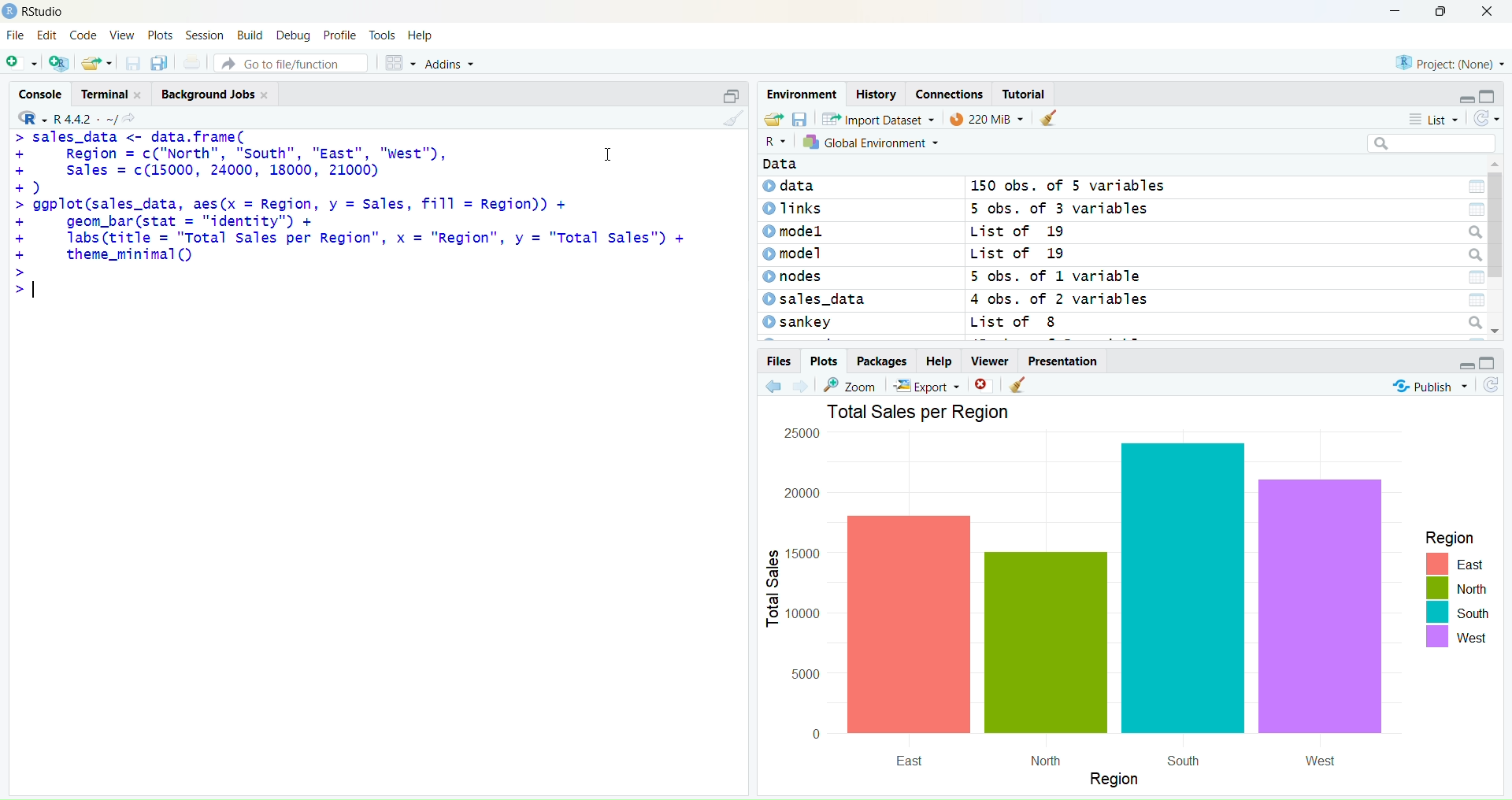  What do you see at coordinates (1431, 387) in the screenshot?
I see `Publish ~` at bounding box center [1431, 387].